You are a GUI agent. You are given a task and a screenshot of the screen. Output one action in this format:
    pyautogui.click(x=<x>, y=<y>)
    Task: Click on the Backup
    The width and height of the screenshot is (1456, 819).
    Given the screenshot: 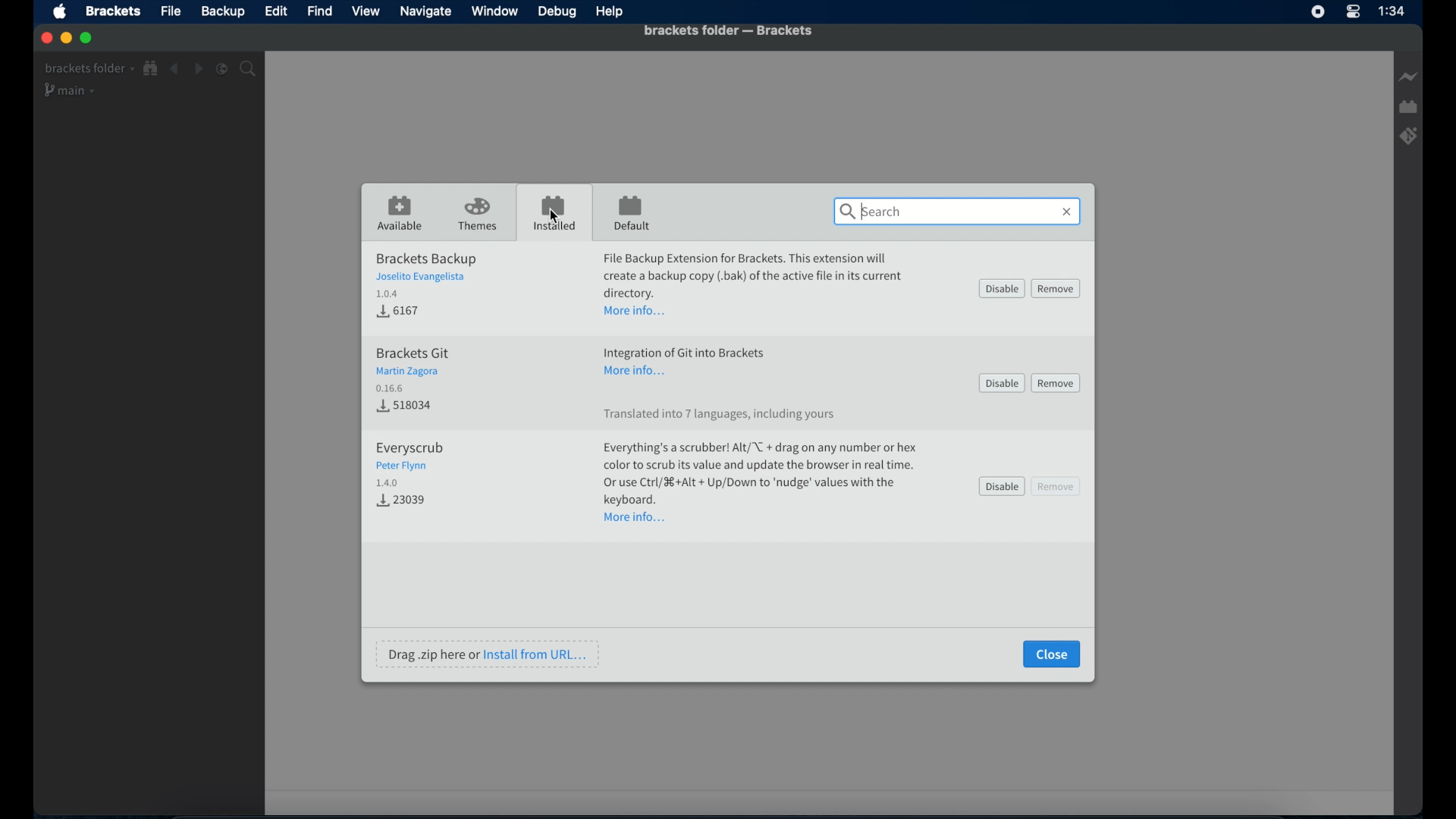 What is the action you would take?
    pyautogui.click(x=222, y=11)
    